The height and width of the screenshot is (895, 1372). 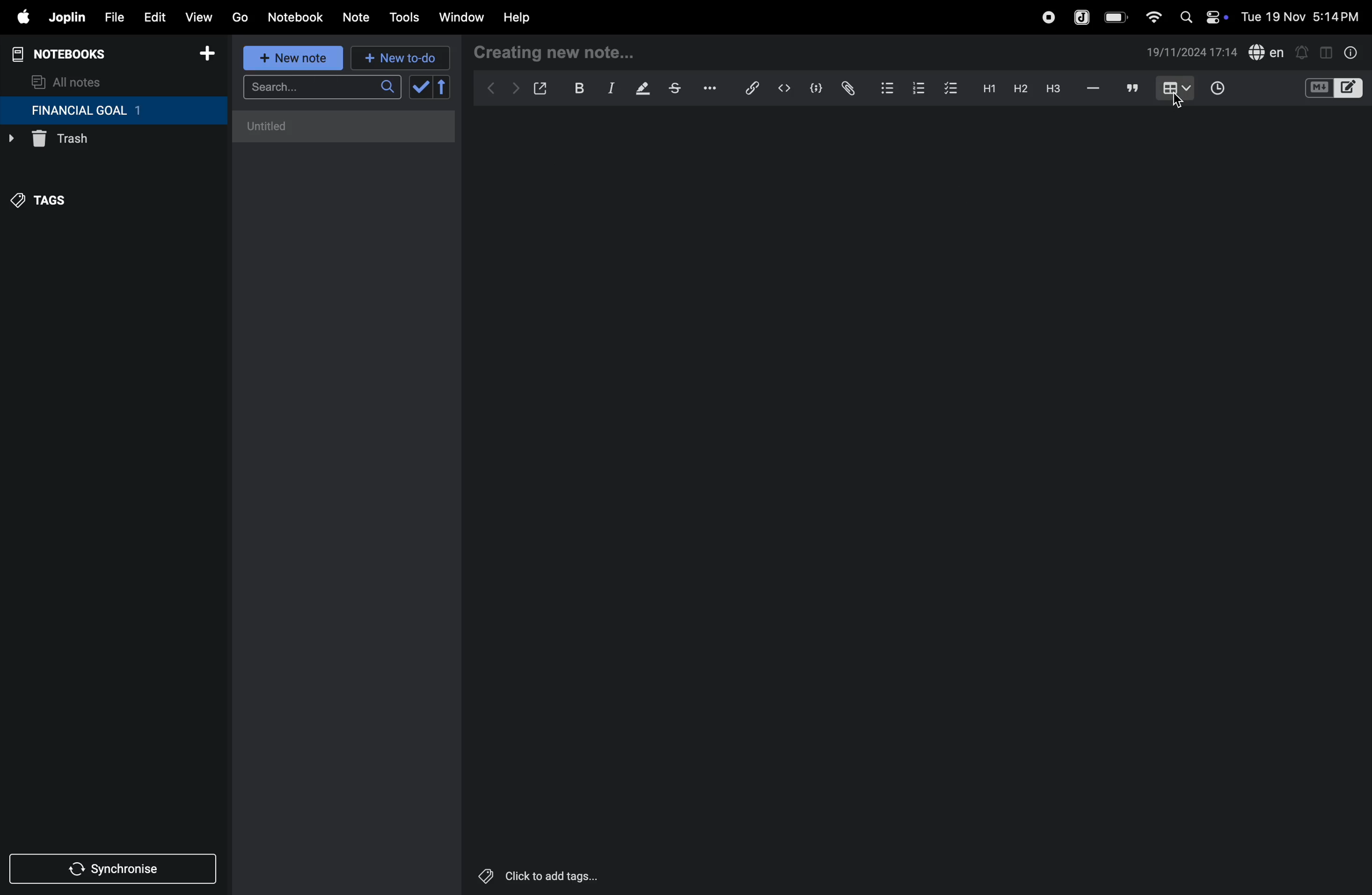 What do you see at coordinates (110, 16) in the screenshot?
I see `file` at bounding box center [110, 16].